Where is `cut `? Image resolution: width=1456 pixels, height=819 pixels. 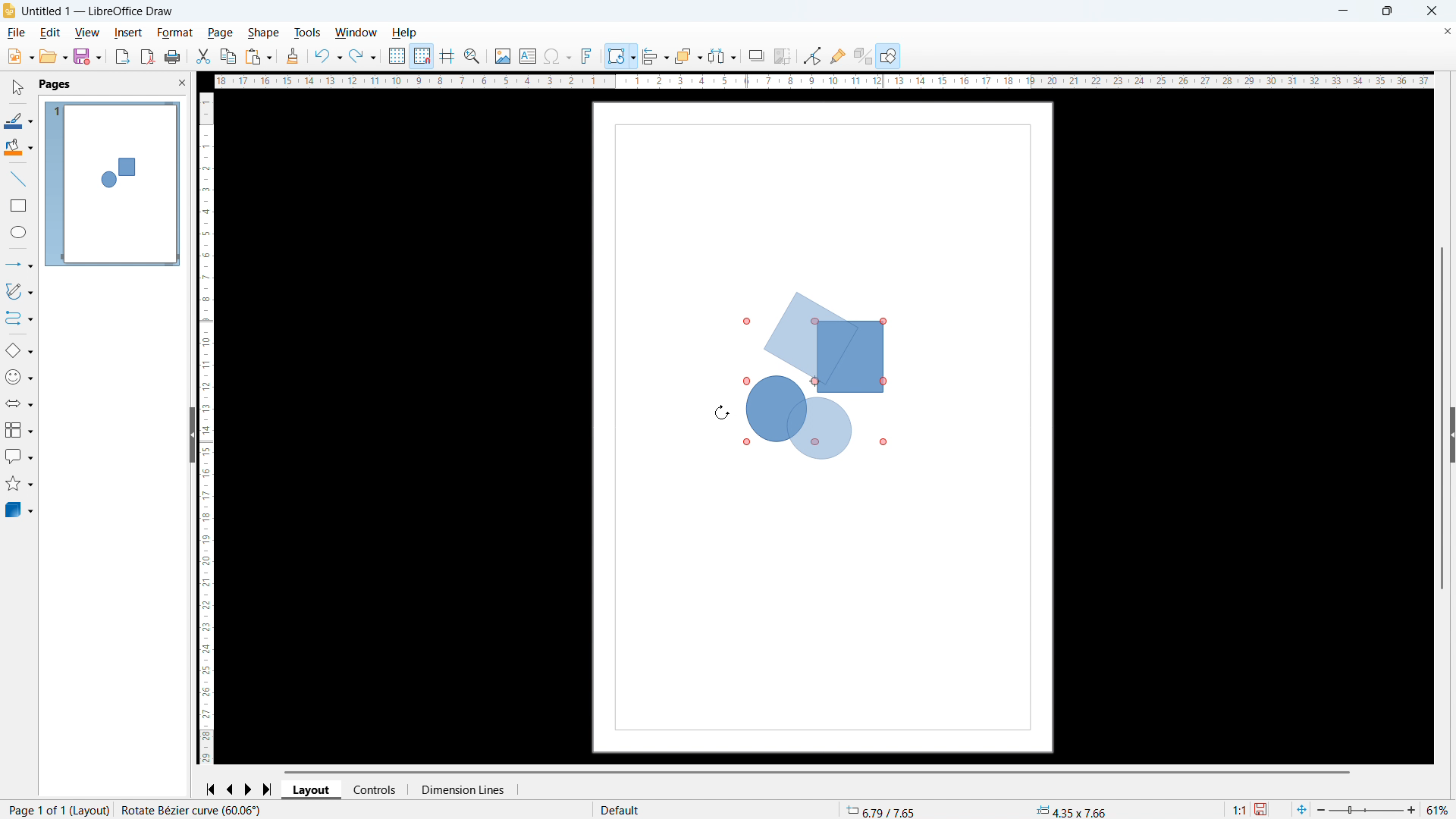
cut  is located at coordinates (203, 56).